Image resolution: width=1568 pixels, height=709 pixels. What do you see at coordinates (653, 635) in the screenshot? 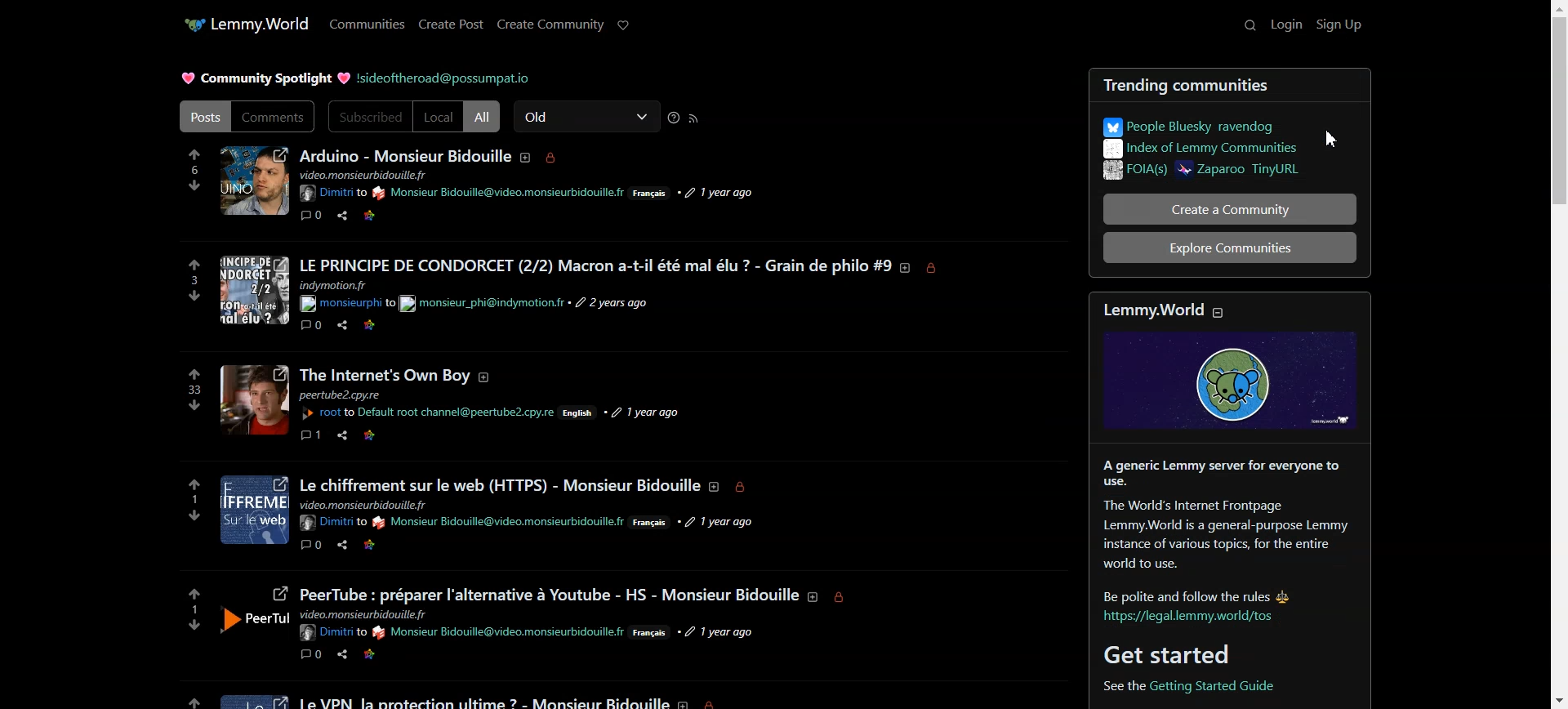
I see `Francais` at bounding box center [653, 635].